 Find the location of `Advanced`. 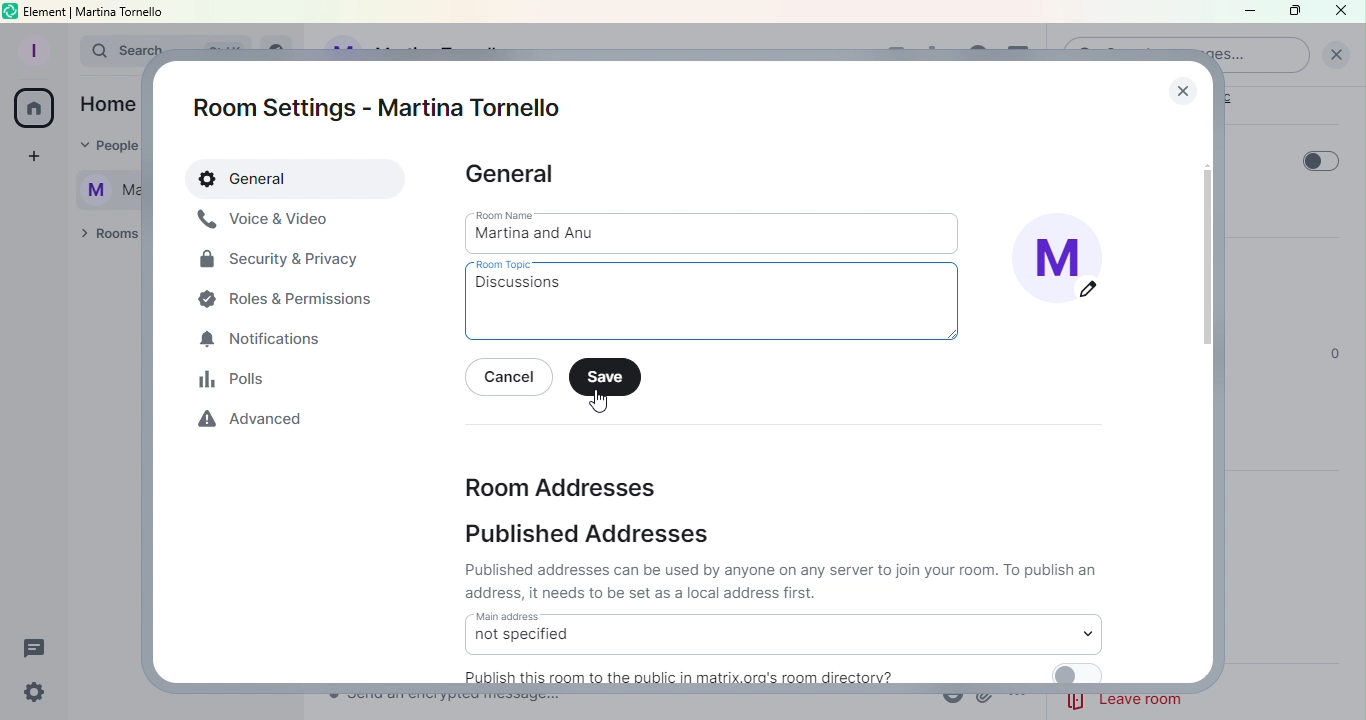

Advanced is located at coordinates (256, 423).